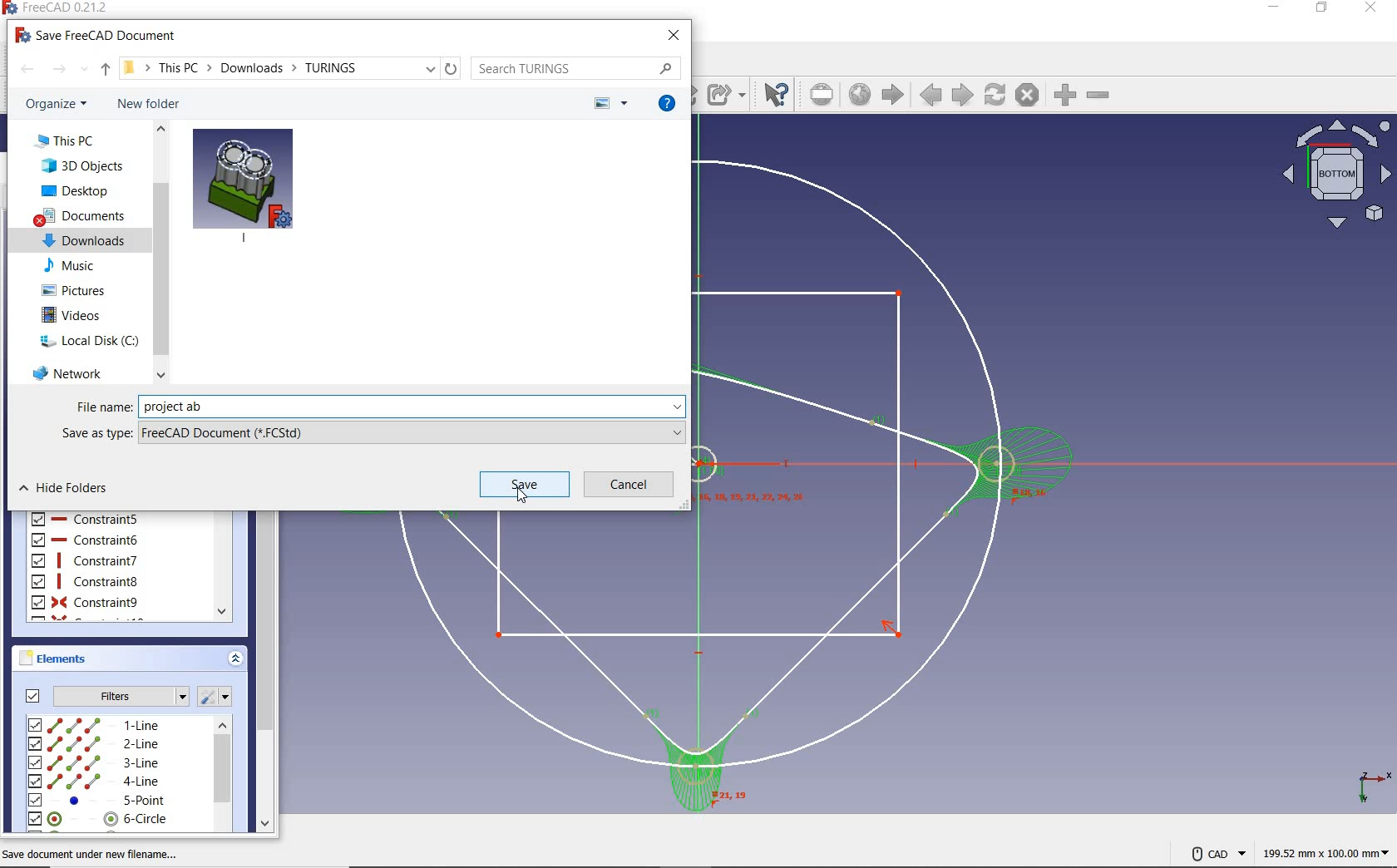 This screenshot has height=868, width=1397. I want to click on maximize, so click(1321, 8).